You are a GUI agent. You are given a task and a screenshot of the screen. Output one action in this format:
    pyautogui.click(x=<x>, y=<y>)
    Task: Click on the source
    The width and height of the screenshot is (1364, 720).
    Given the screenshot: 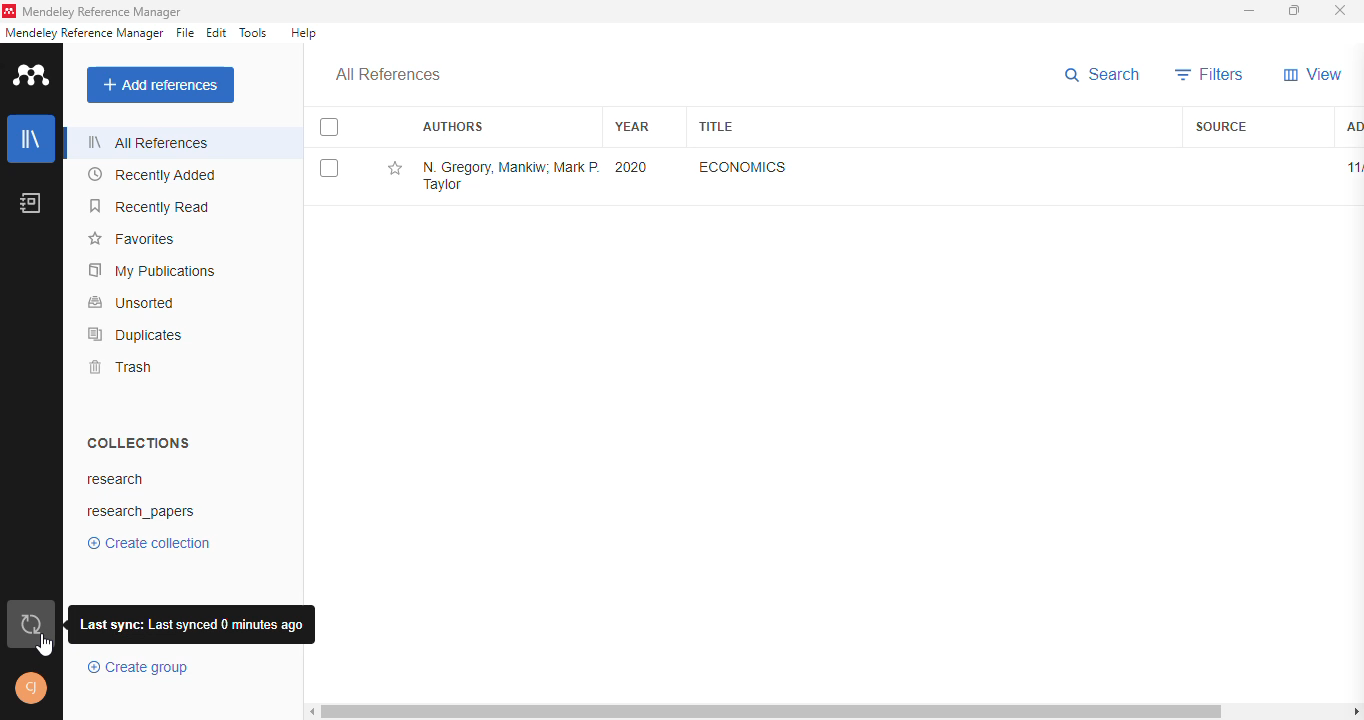 What is the action you would take?
    pyautogui.click(x=1222, y=125)
    